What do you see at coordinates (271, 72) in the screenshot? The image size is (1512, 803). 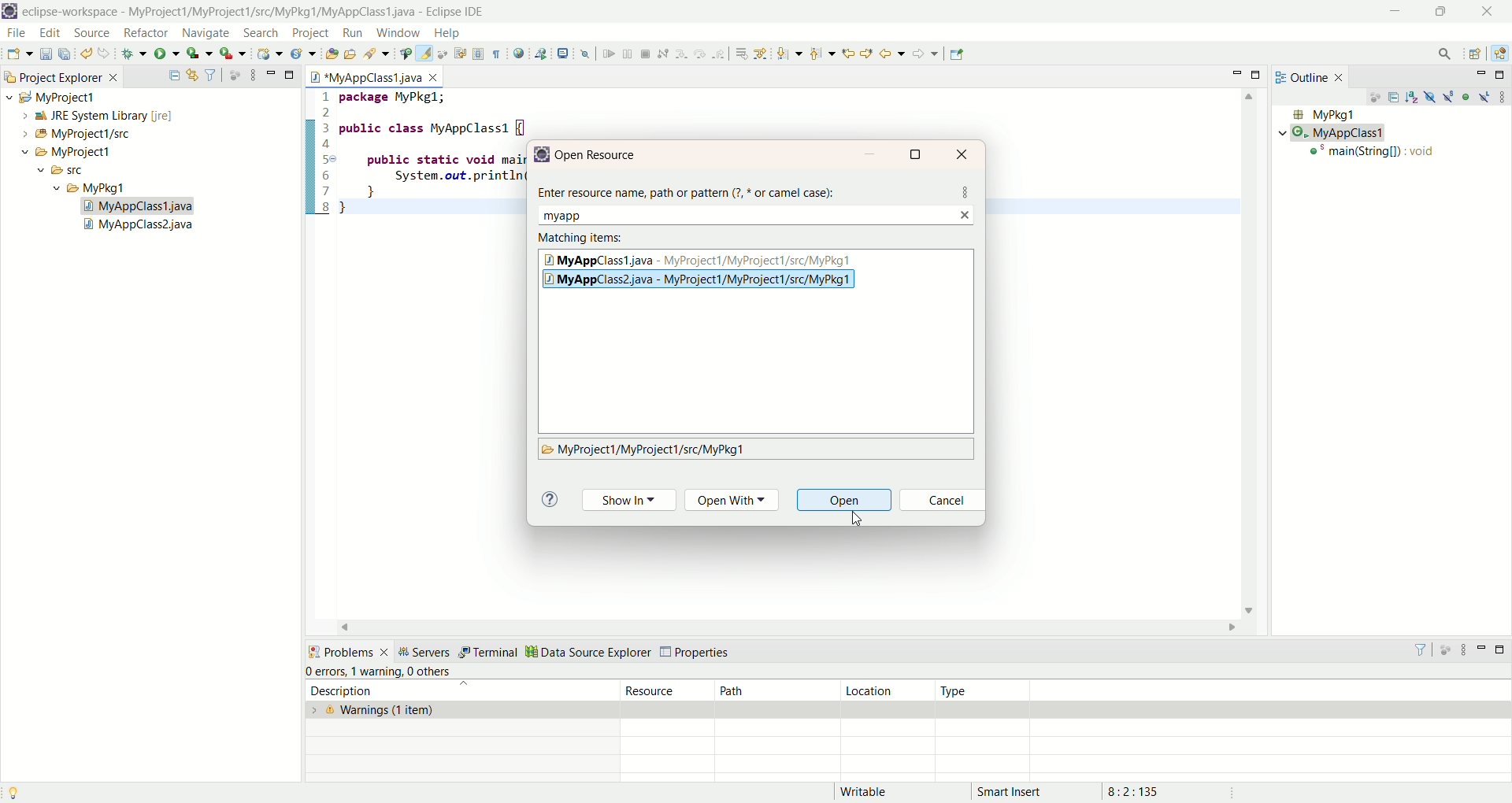 I see `minimize` at bounding box center [271, 72].